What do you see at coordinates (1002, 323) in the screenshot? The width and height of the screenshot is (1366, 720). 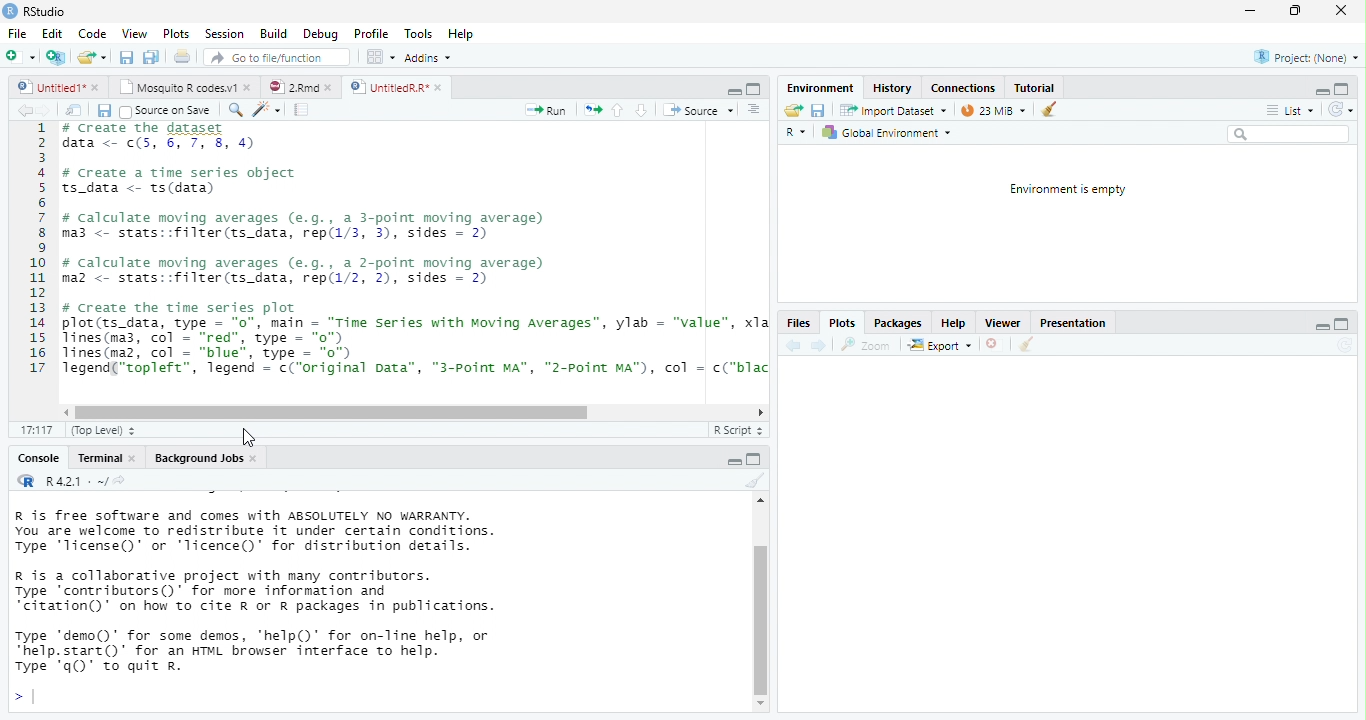 I see `Viewer` at bounding box center [1002, 323].